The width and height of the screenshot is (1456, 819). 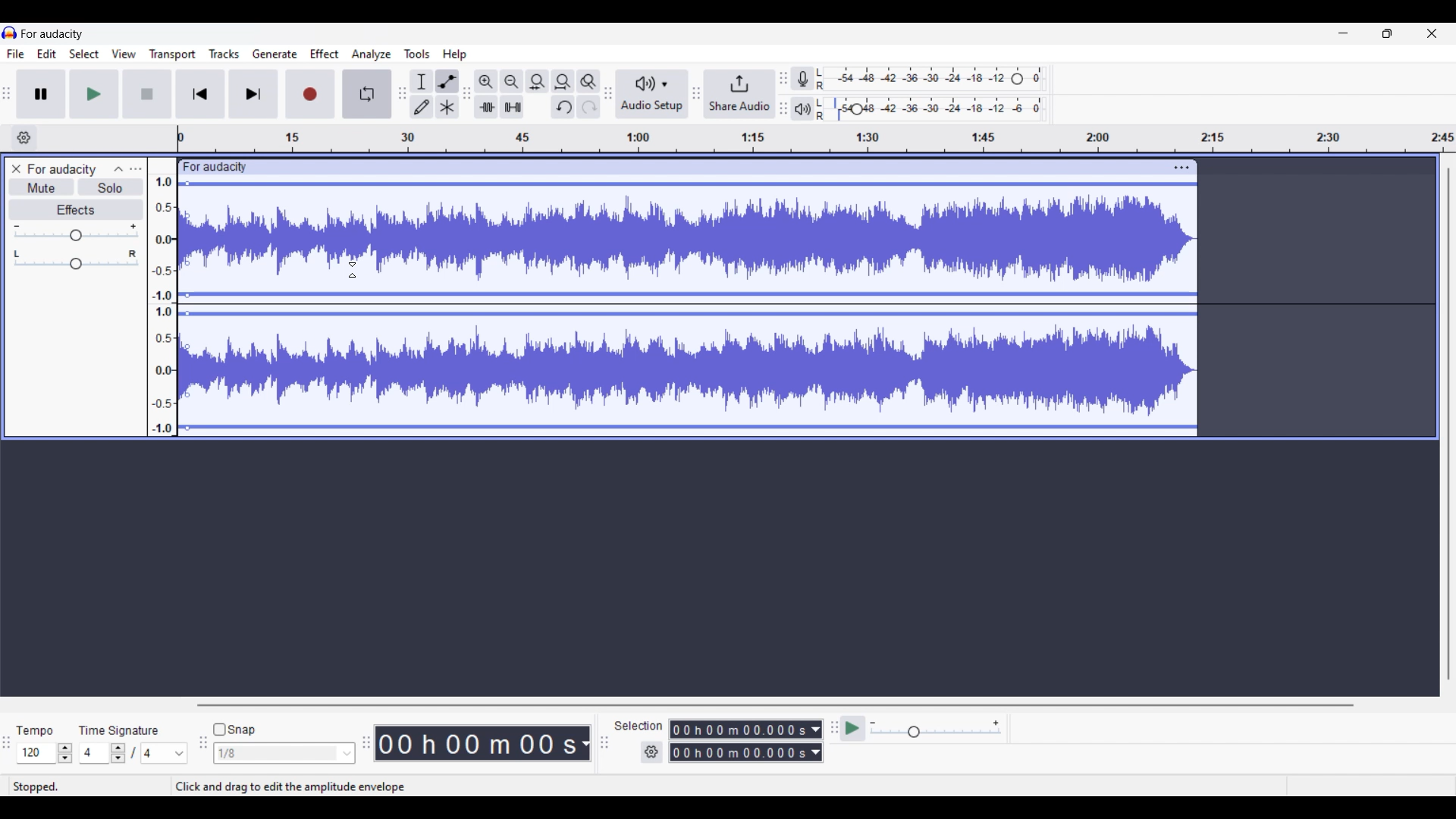 I want to click on Mute, so click(x=42, y=189).